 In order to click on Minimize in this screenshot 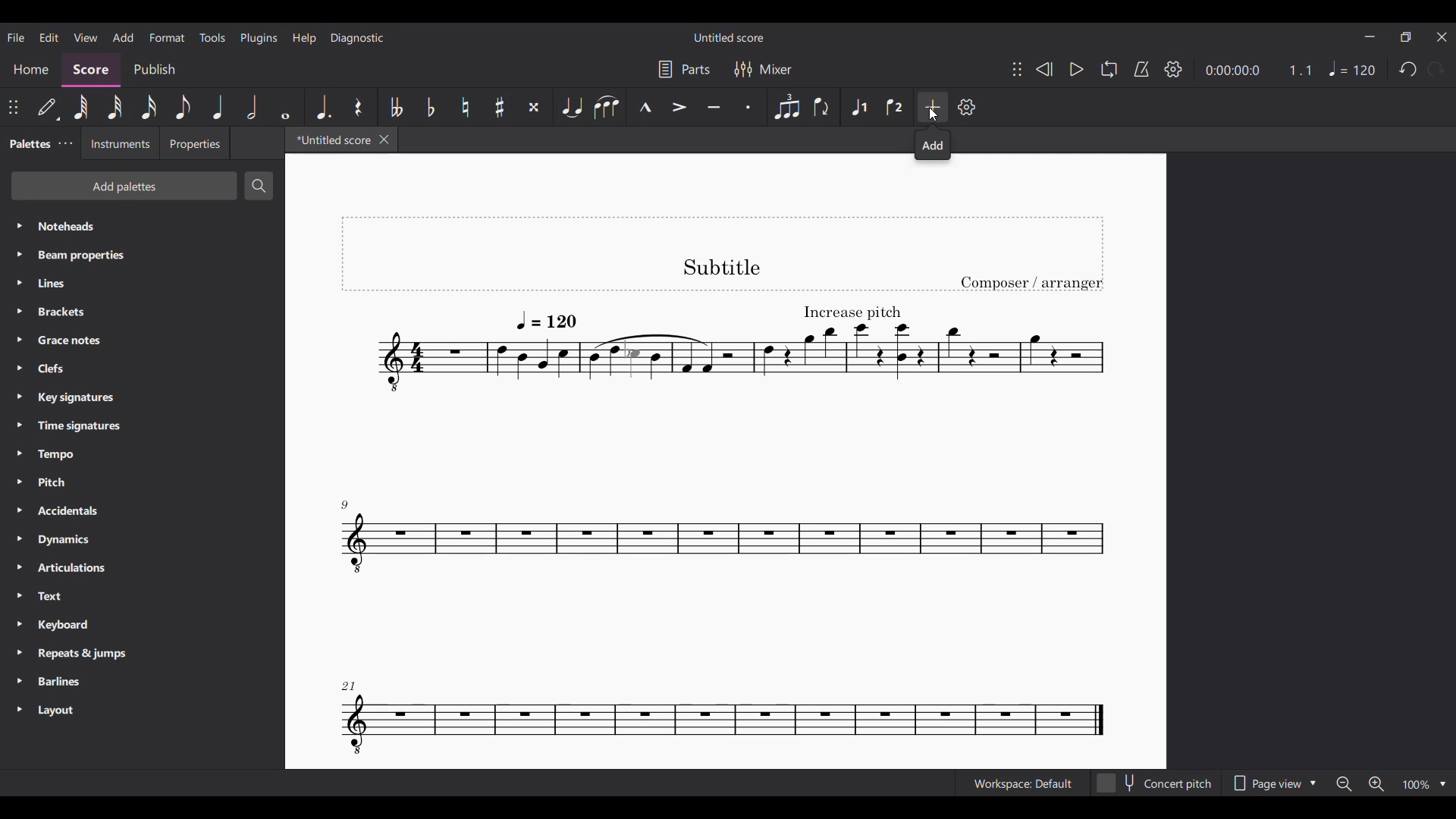, I will do `click(1370, 36)`.